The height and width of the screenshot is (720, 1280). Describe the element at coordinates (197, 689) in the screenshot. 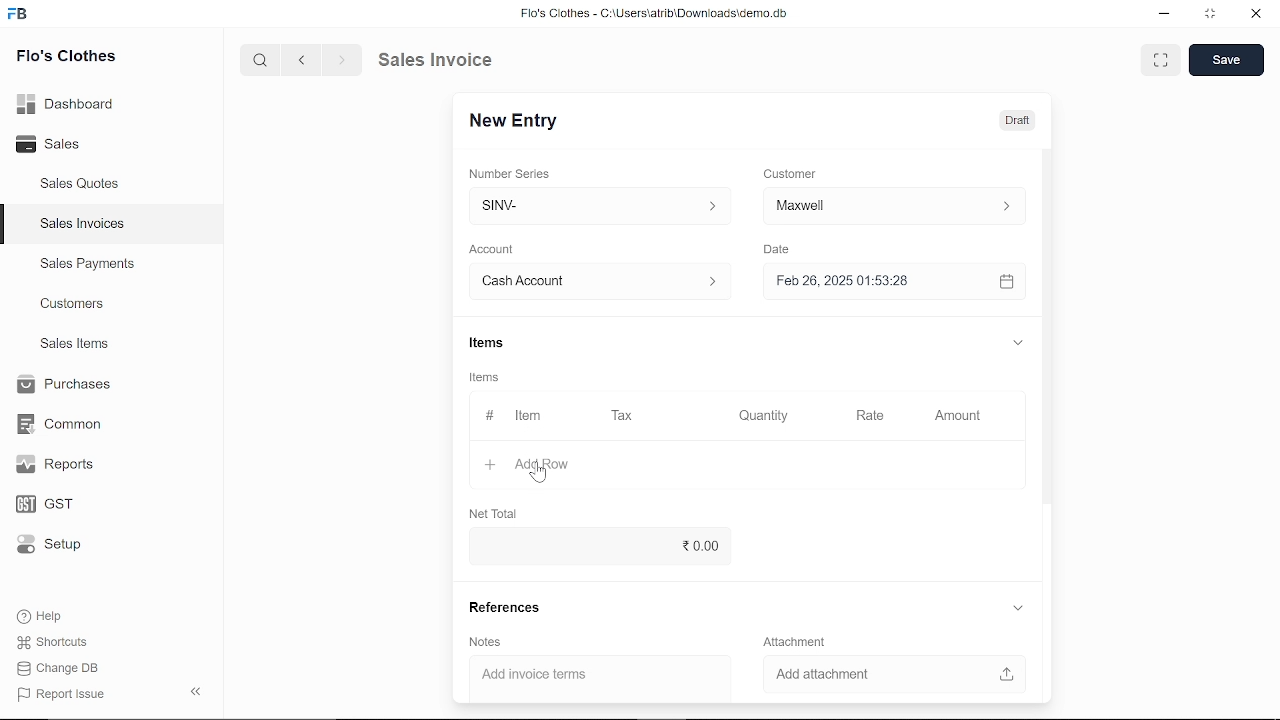

I see `hide` at that location.